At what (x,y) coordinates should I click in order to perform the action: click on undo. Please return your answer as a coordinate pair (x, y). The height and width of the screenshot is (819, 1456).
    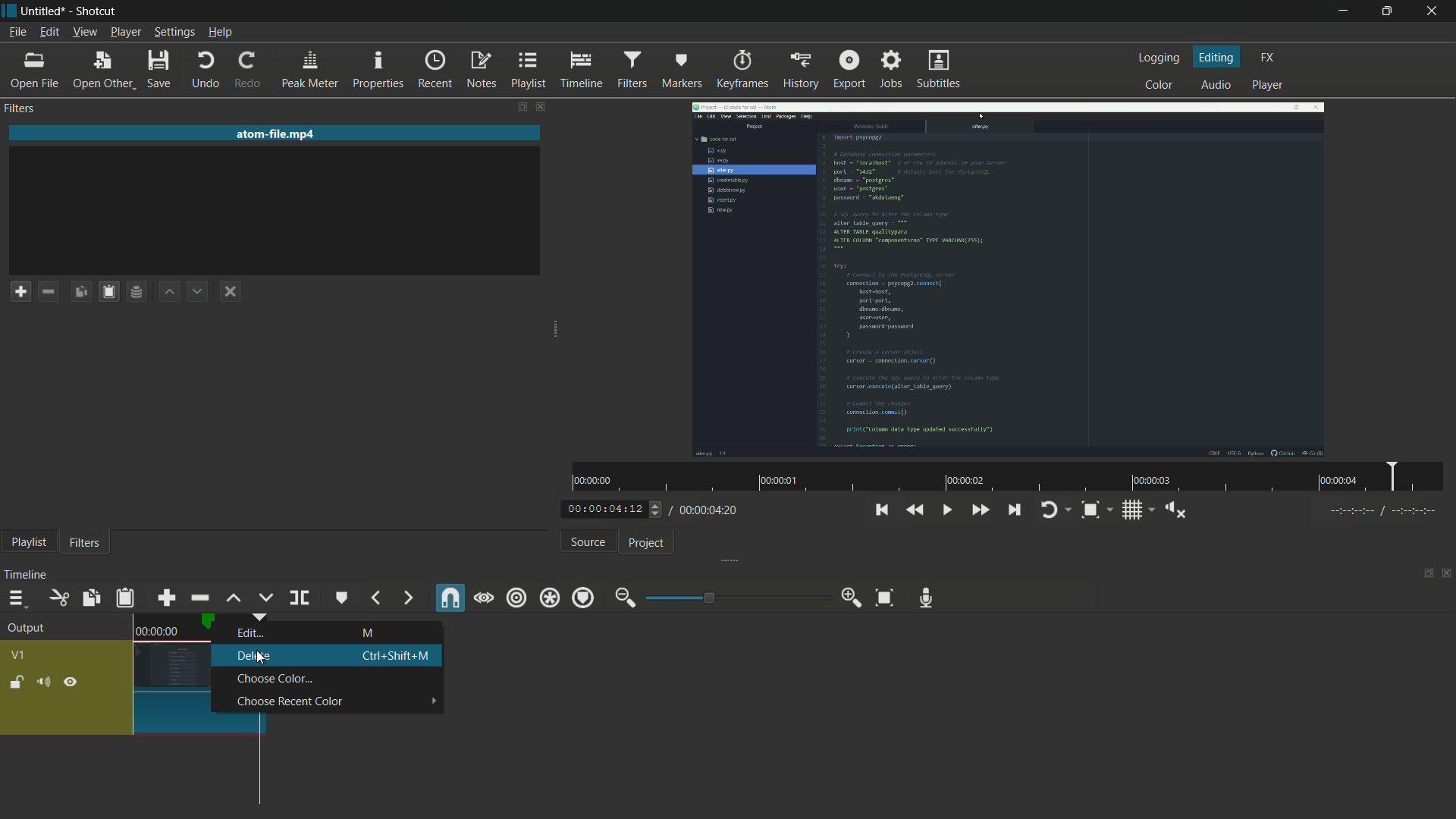
    Looking at the image, I should click on (206, 70).